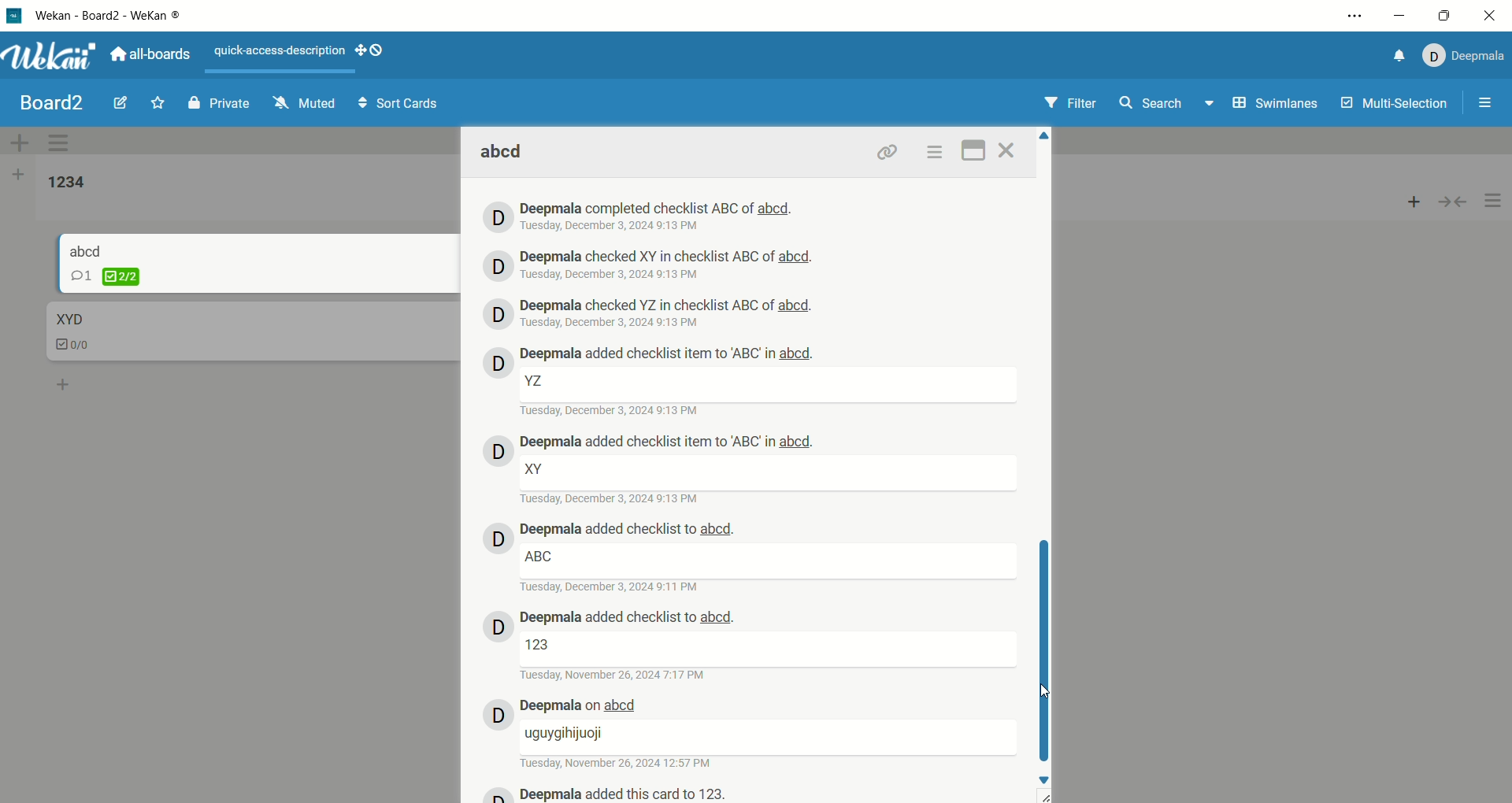  Describe the element at coordinates (18, 177) in the screenshot. I see `add list` at that location.